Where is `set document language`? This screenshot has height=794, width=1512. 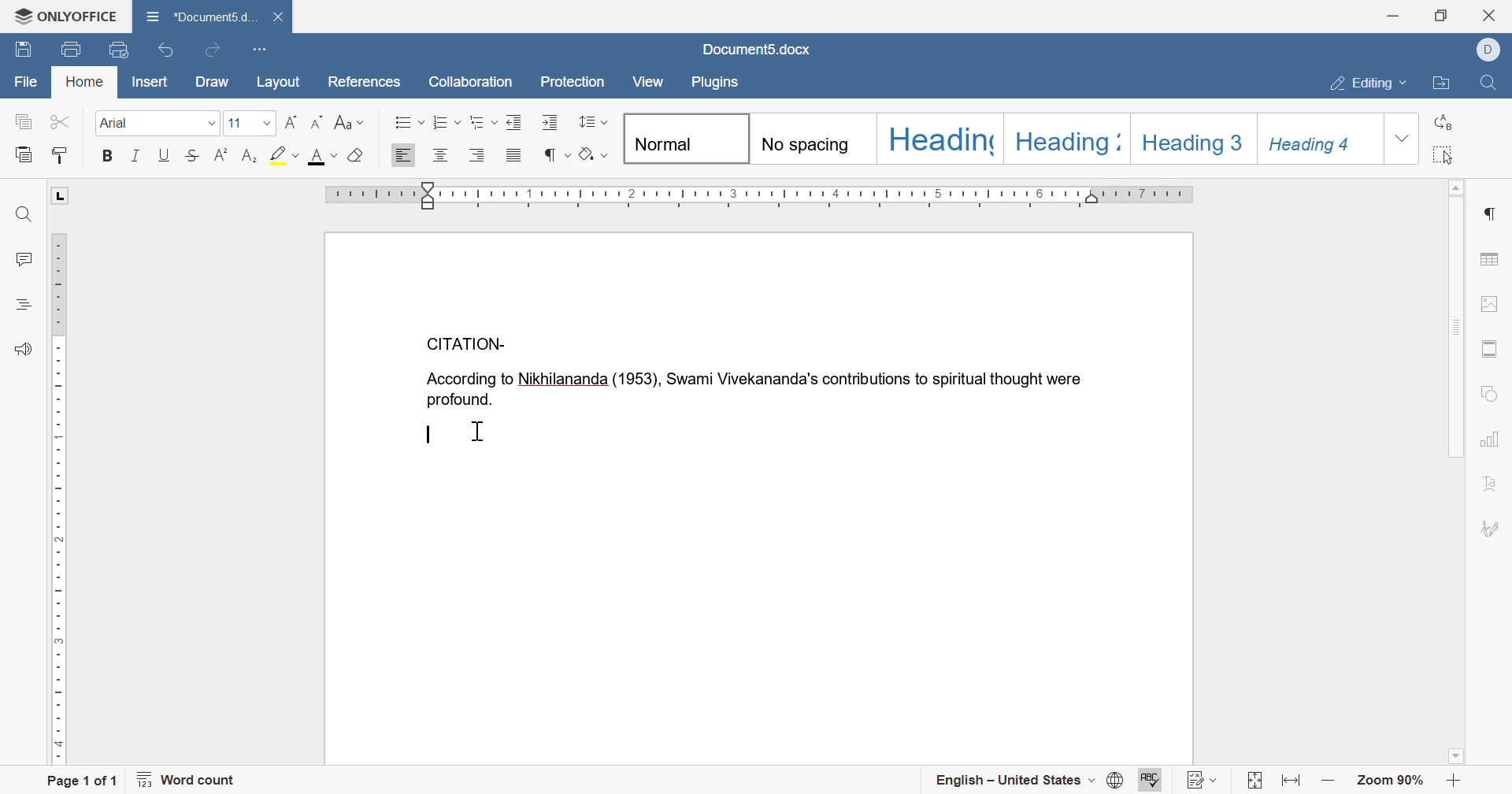
set document language is located at coordinates (1117, 781).